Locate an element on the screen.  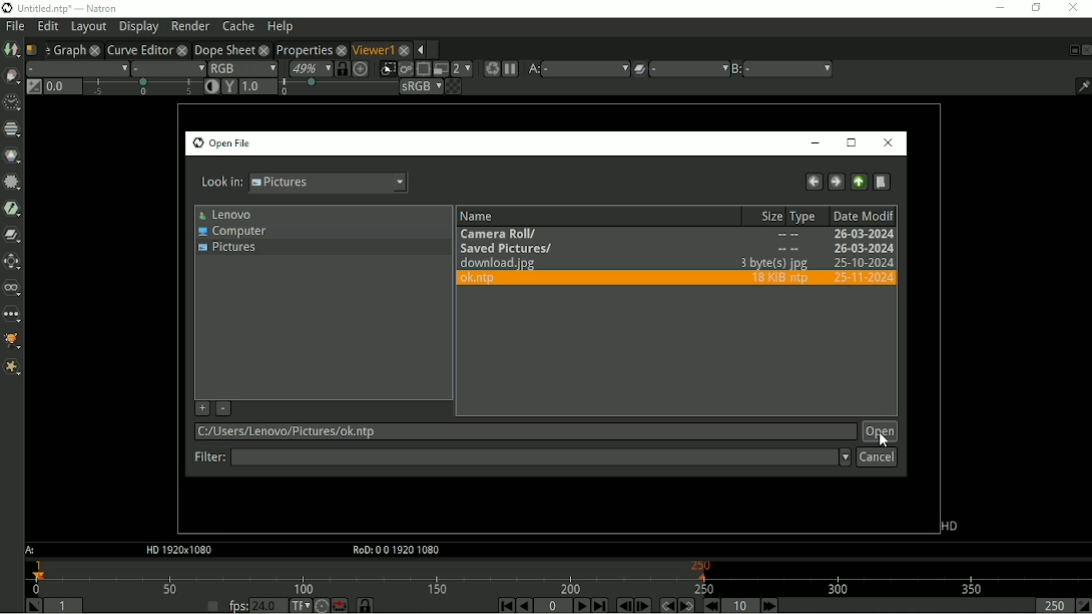
close is located at coordinates (182, 49).